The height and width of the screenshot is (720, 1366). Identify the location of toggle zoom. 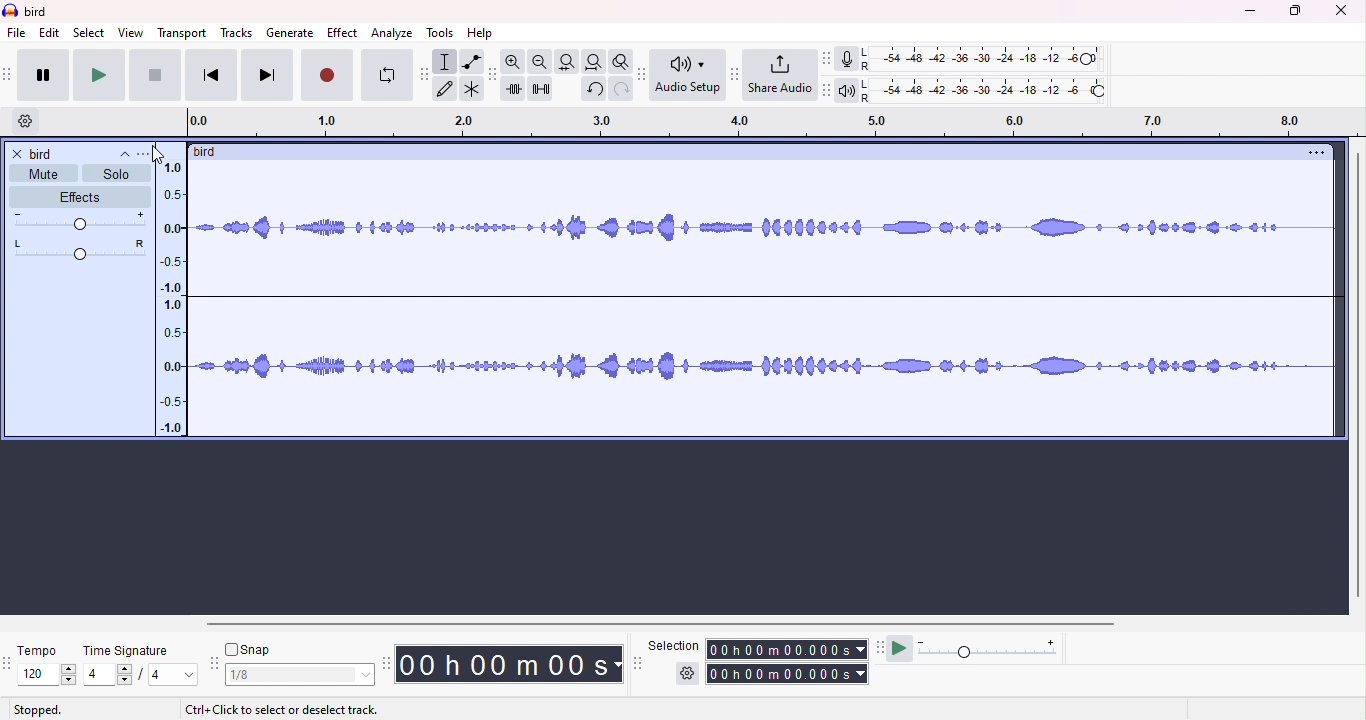
(622, 62).